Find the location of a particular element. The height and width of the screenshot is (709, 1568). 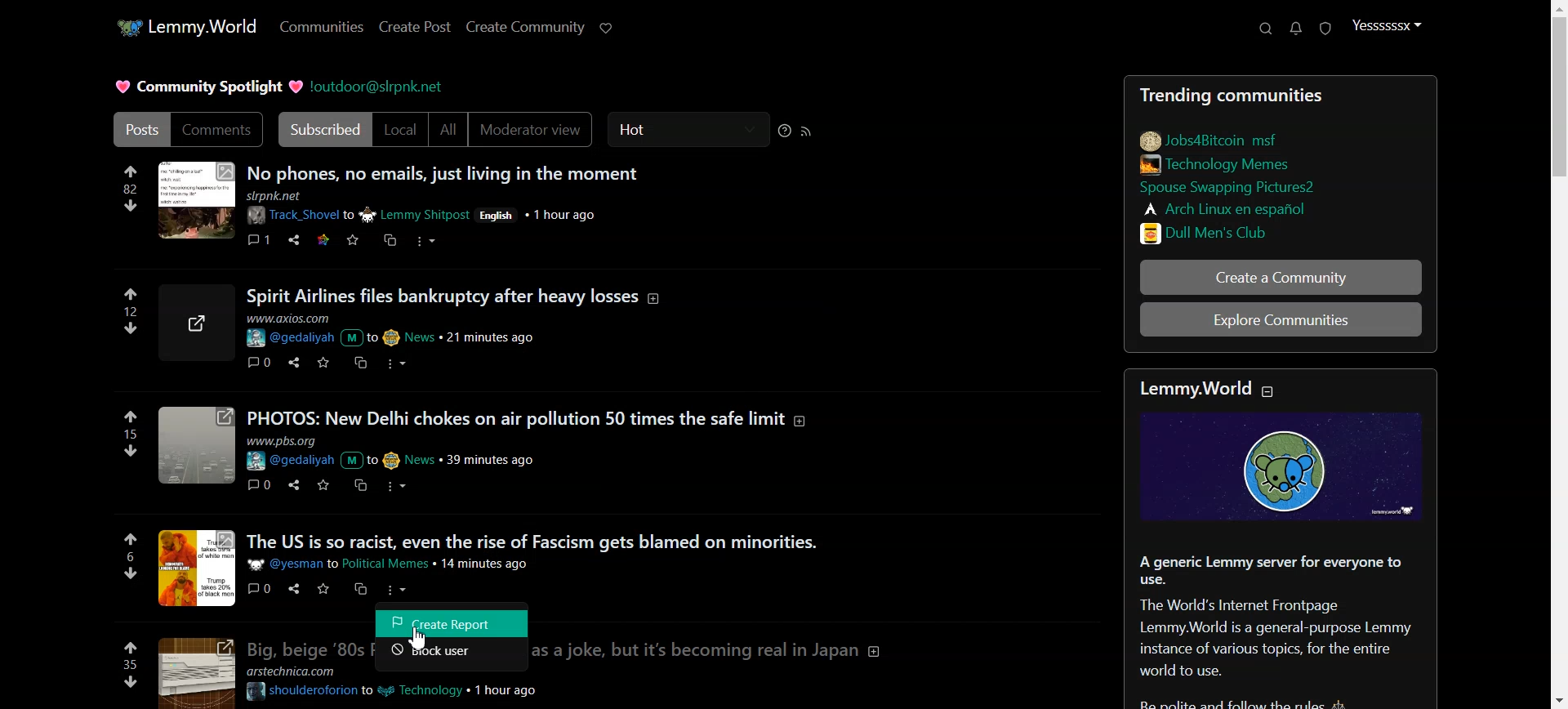

All is located at coordinates (448, 130).